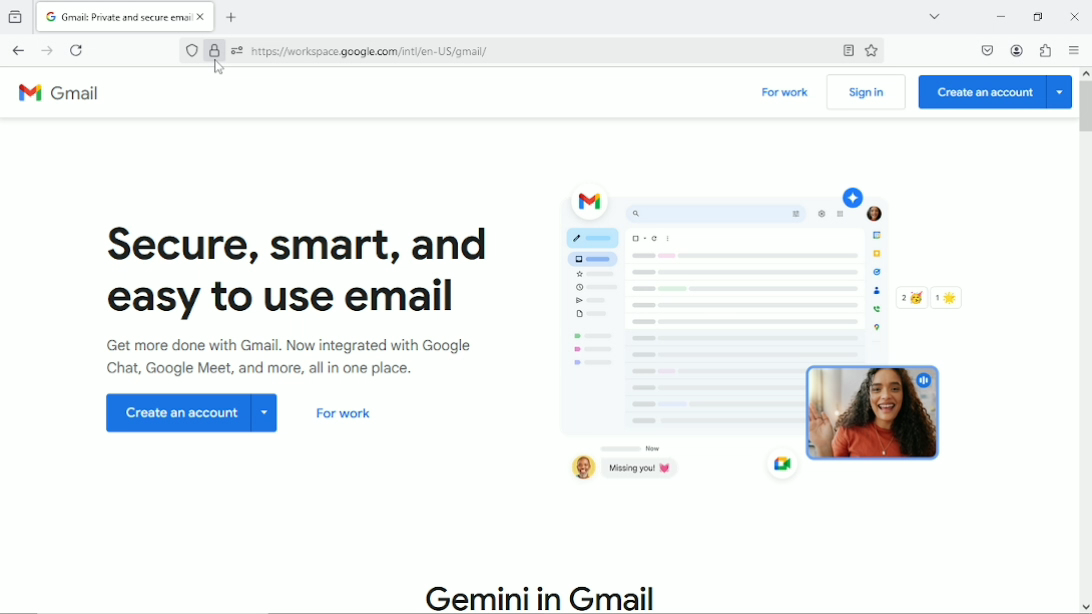 The height and width of the screenshot is (614, 1092). I want to click on You have granted additional permissions to this website, so click(235, 49).